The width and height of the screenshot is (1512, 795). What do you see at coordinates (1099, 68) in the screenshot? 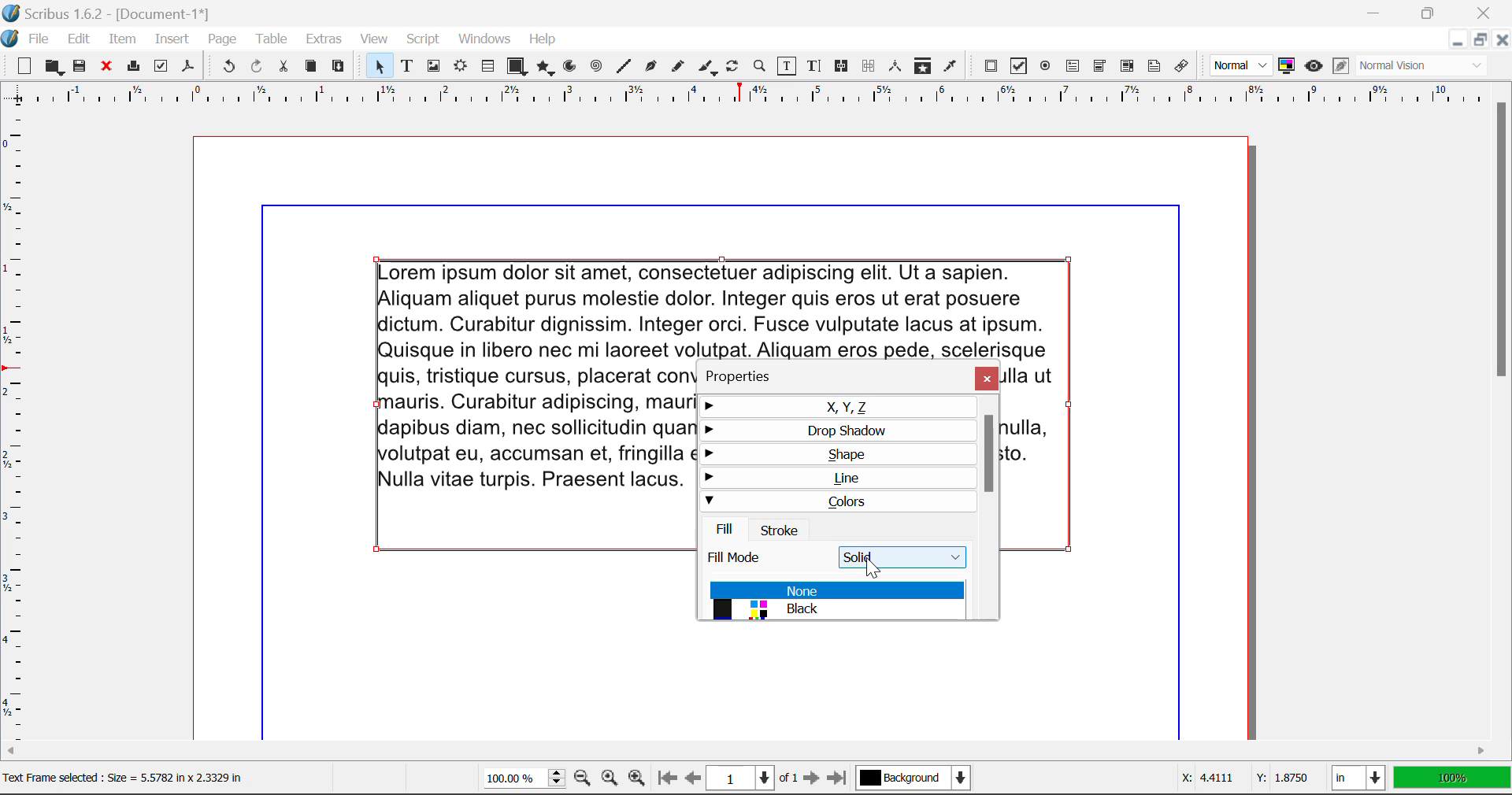
I see `PDF Combo Box` at bounding box center [1099, 68].